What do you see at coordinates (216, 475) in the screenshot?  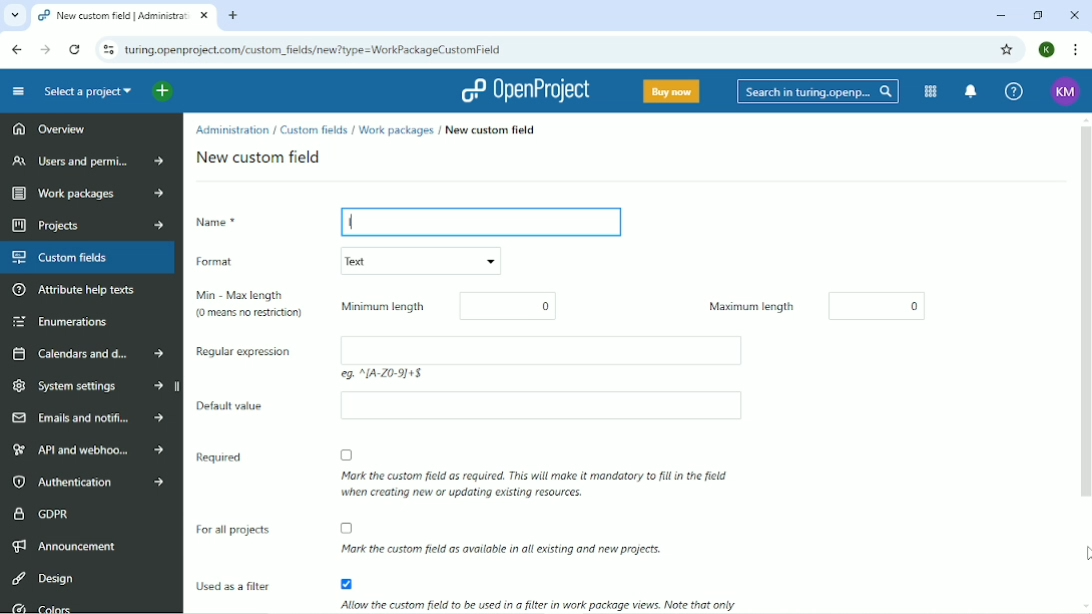 I see `Required` at bounding box center [216, 475].